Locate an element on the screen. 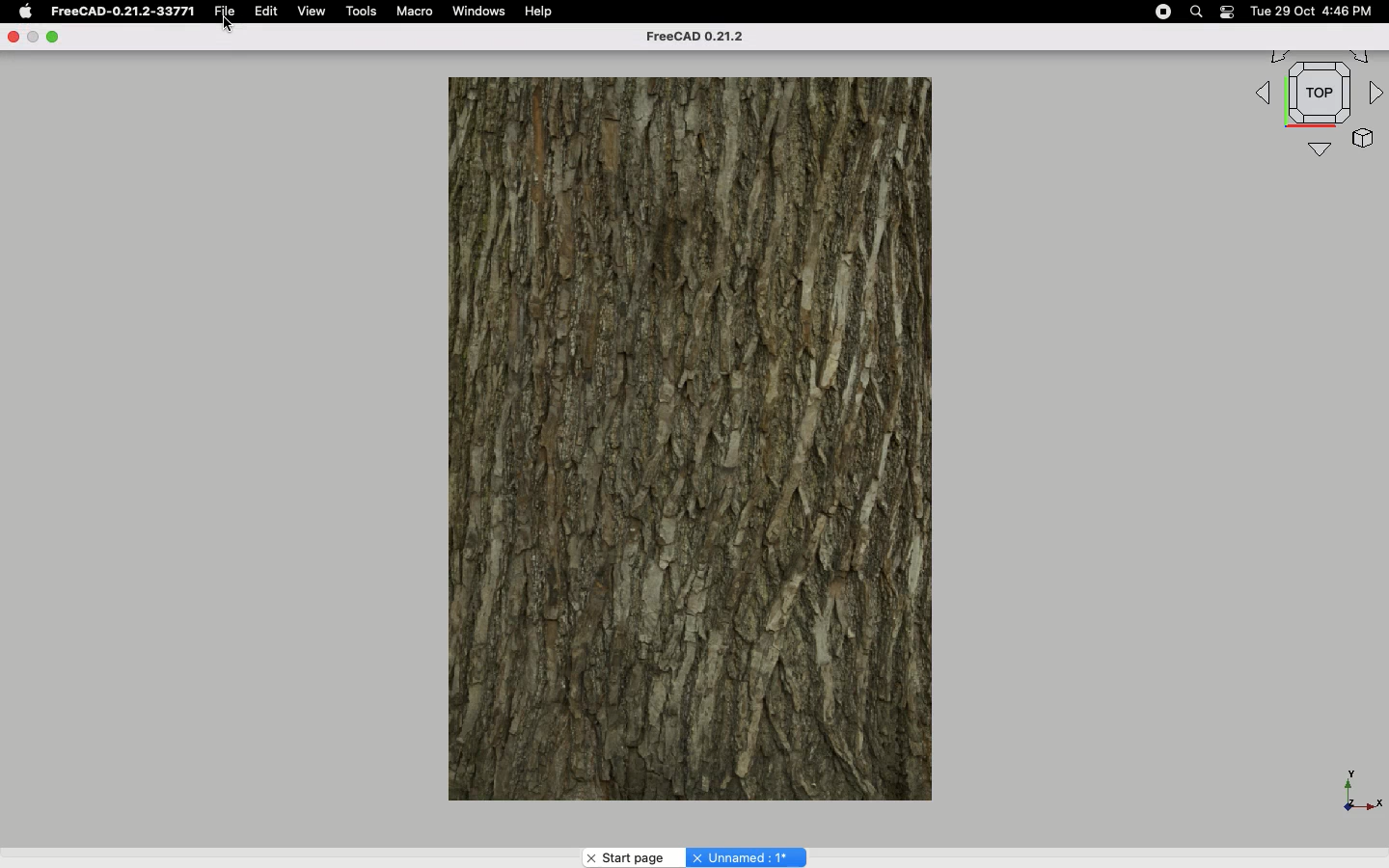  Unnamed:1* is located at coordinates (746, 856).